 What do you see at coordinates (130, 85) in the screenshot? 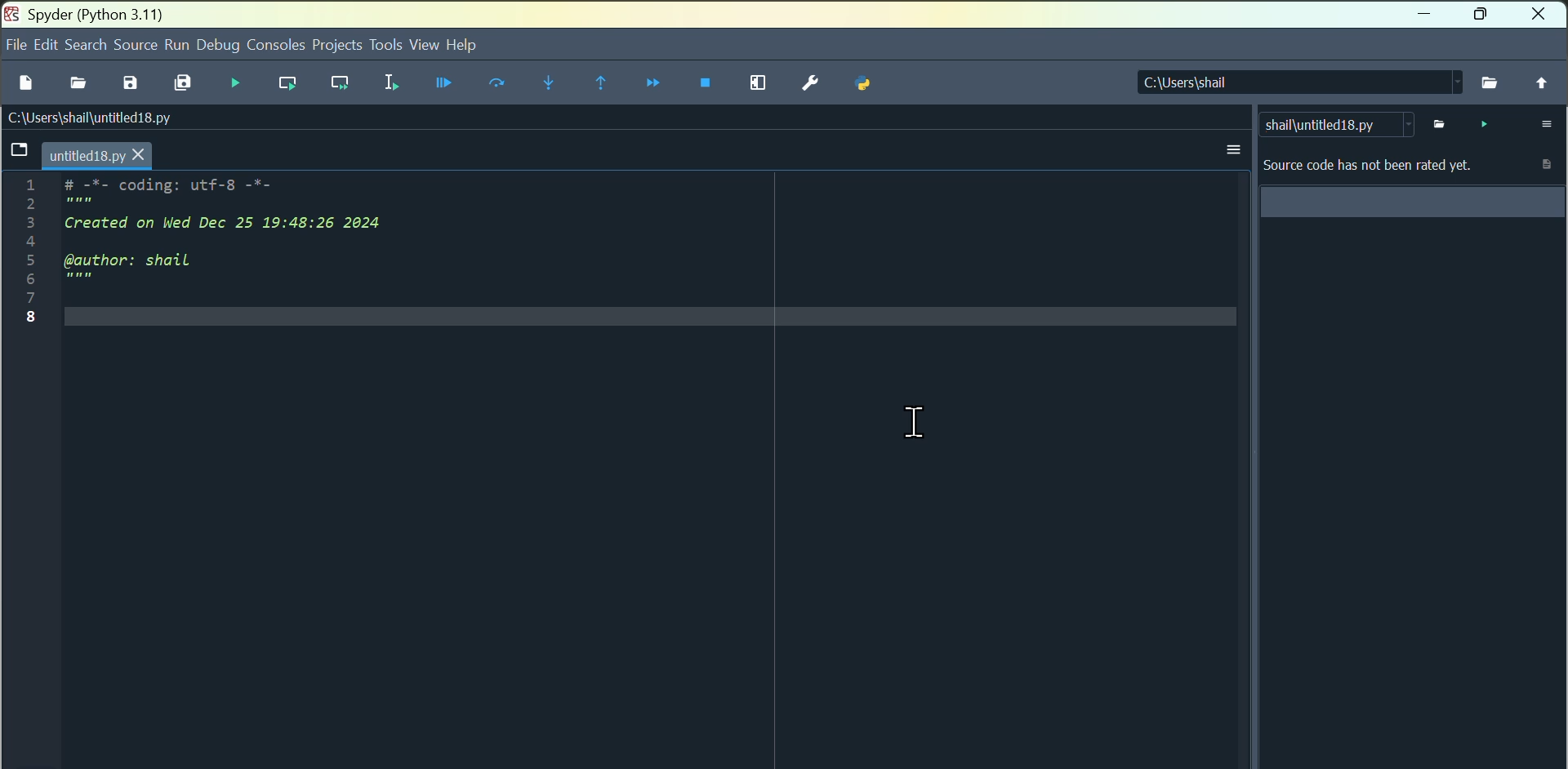
I see `save` at bounding box center [130, 85].